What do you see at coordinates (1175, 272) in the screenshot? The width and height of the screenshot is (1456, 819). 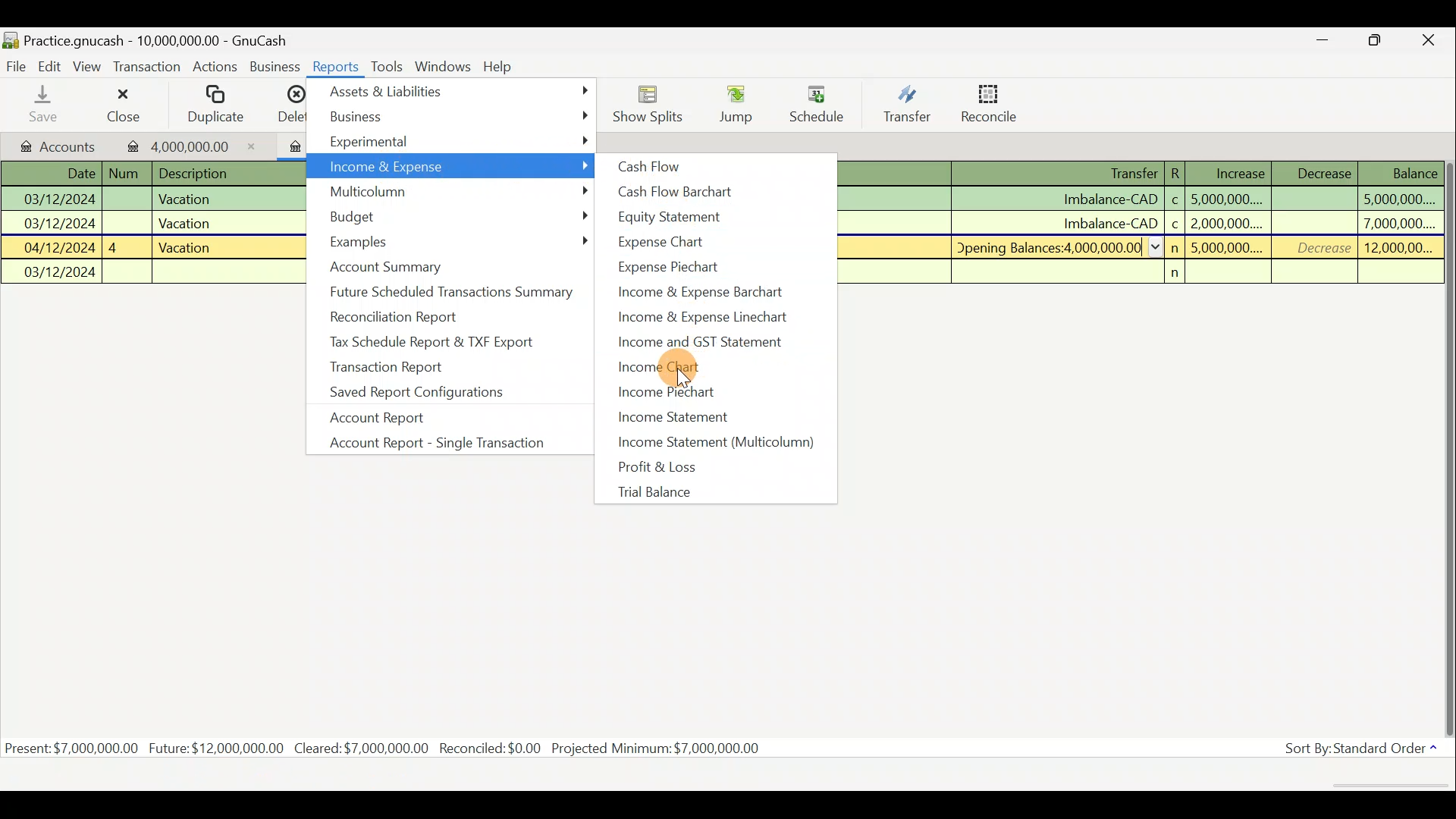 I see `n` at bounding box center [1175, 272].